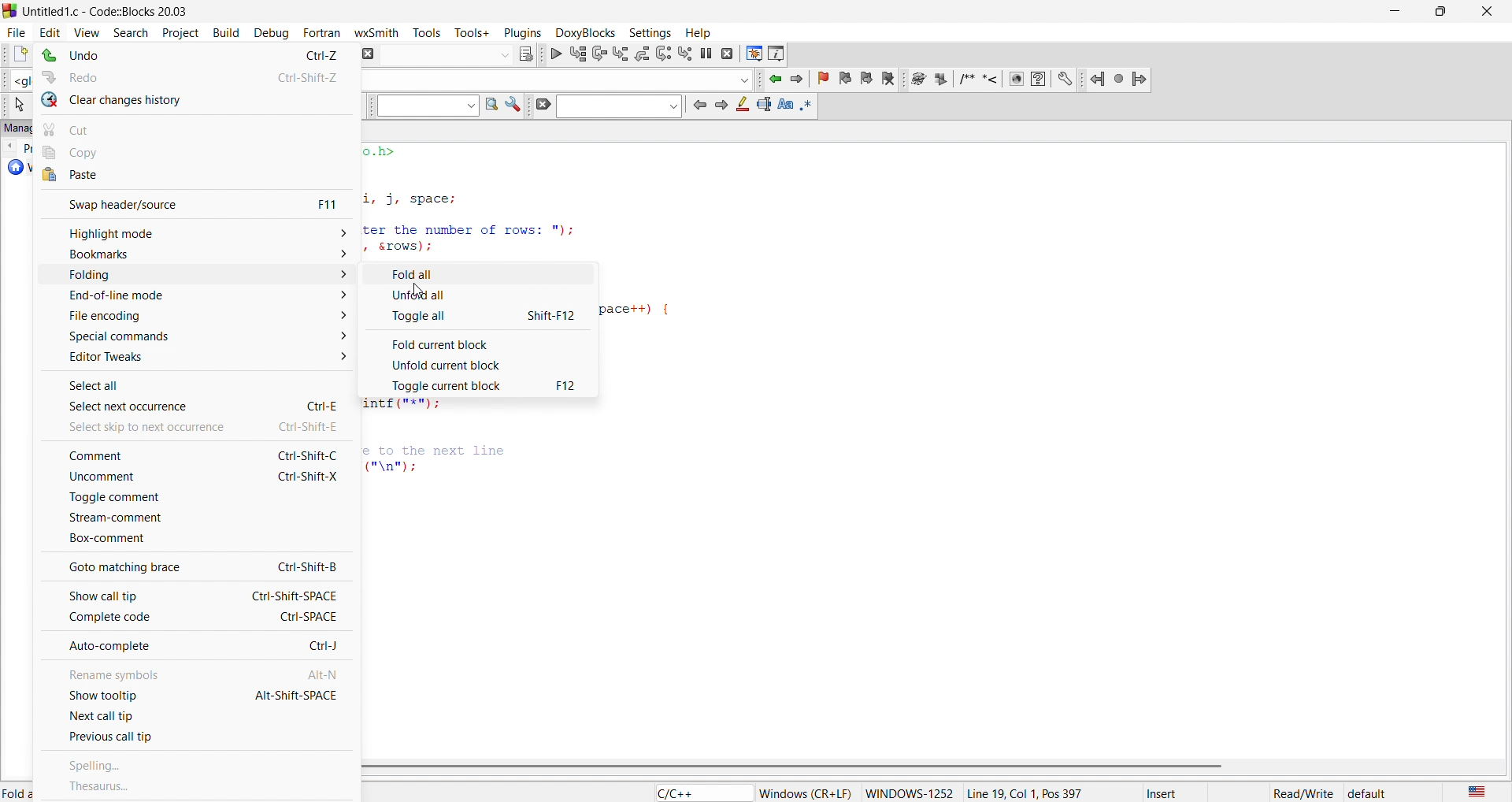 The height and width of the screenshot is (802, 1512). What do you see at coordinates (558, 79) in the screenshot?
I see `function select` at bounding box center [558, 79].